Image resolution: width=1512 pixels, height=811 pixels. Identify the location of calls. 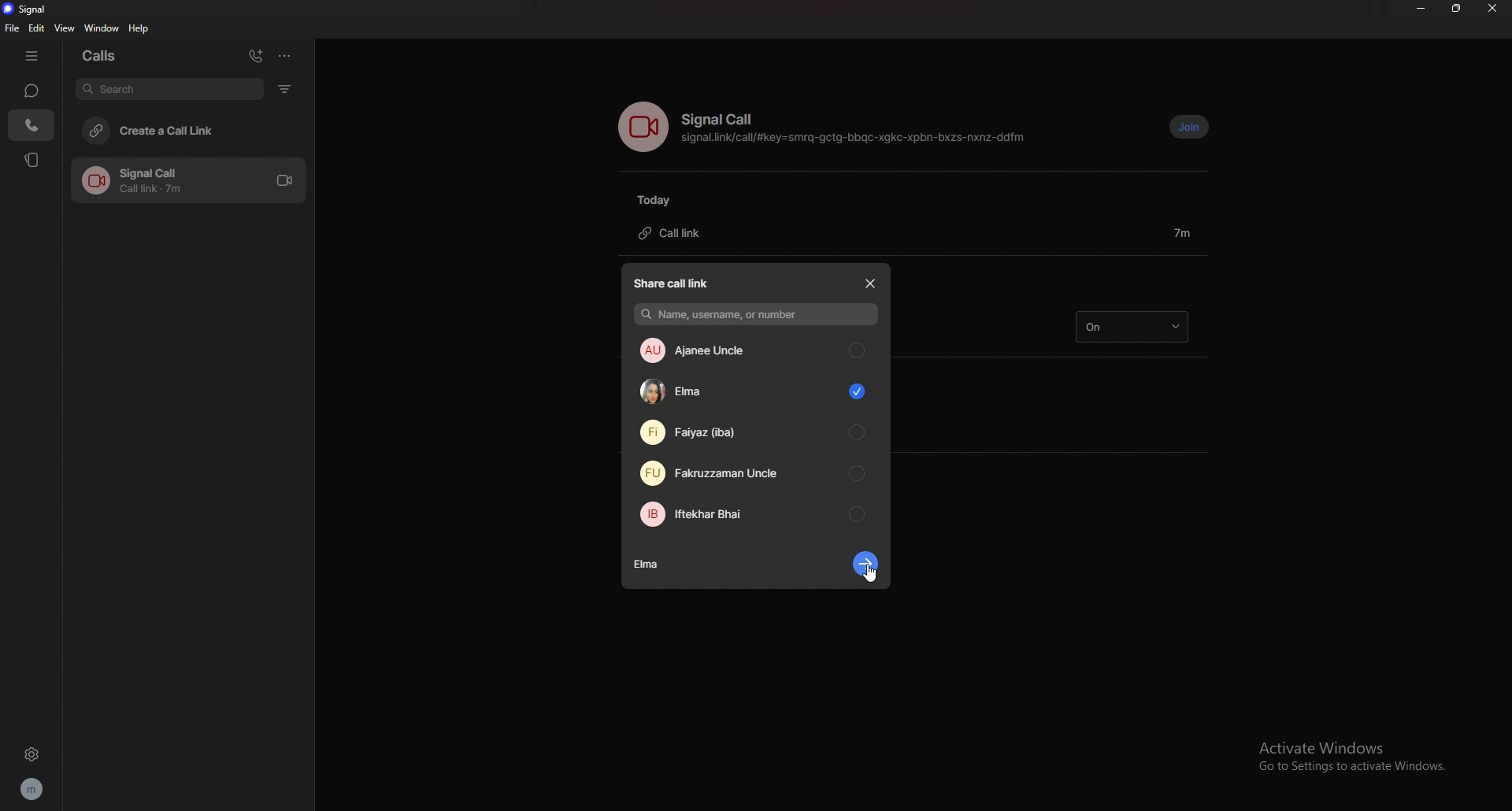
(32, 124).